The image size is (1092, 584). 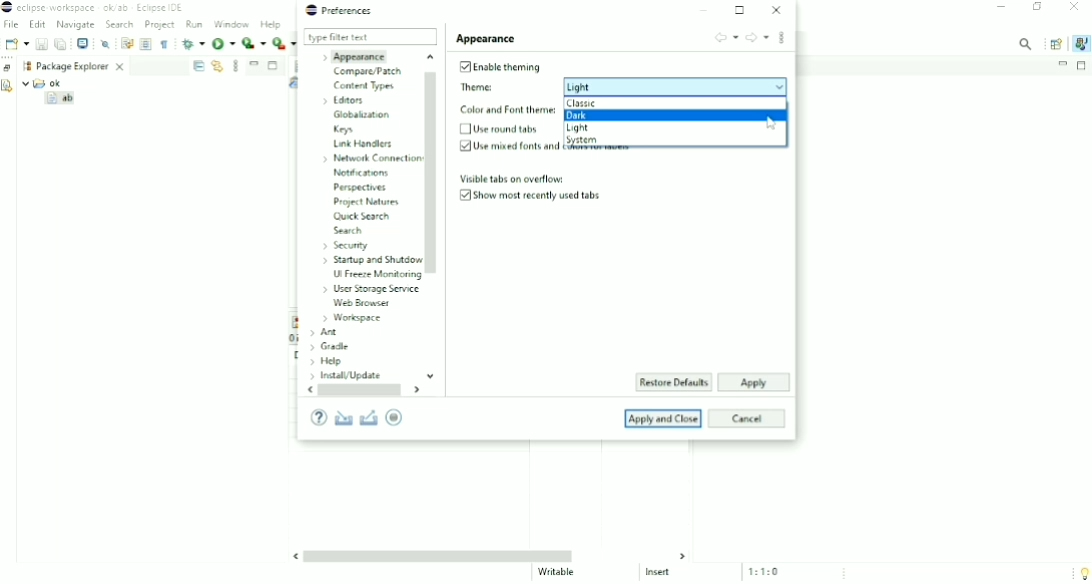 I want to click on Apply, so click(x=752, y=383).